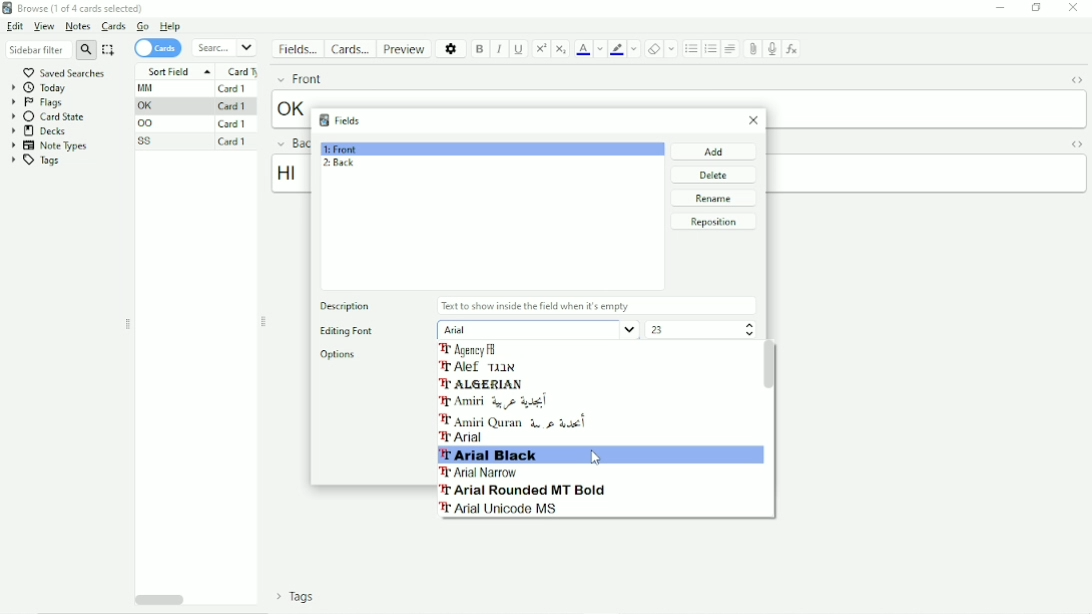 Image resolution: width=1092 pixels, height=614 pixels. I want to click on Options, so click(452, 48).